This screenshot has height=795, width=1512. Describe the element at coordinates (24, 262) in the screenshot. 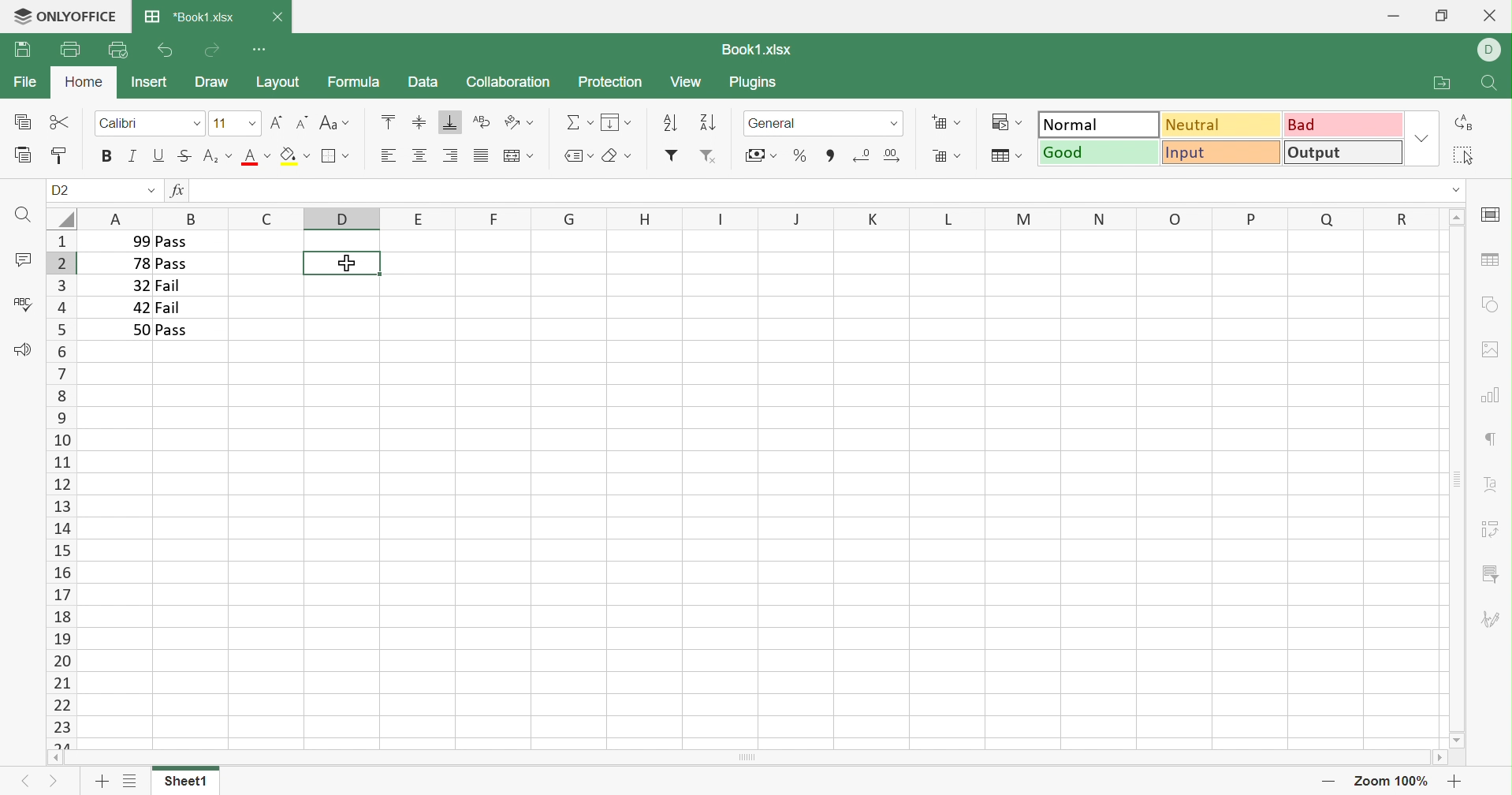

I see `Comments` at that location.